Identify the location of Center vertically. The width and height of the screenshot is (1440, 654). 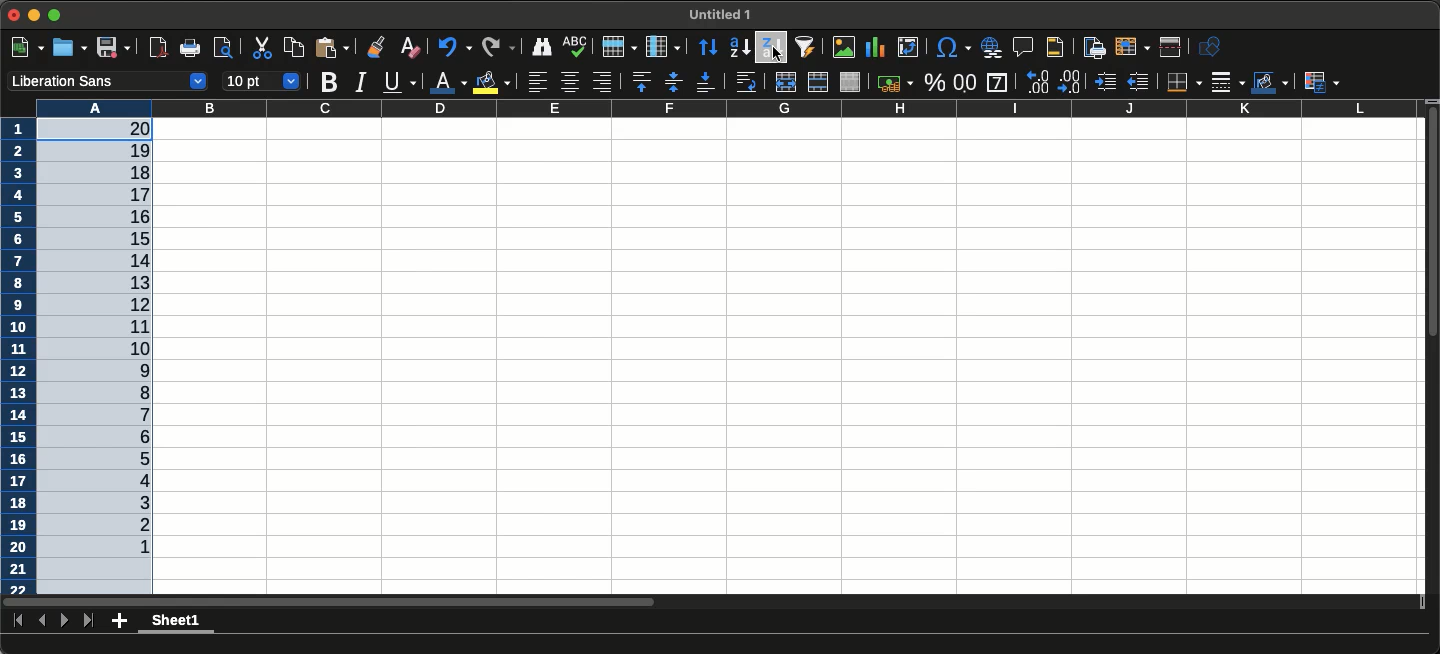
(670, 81).